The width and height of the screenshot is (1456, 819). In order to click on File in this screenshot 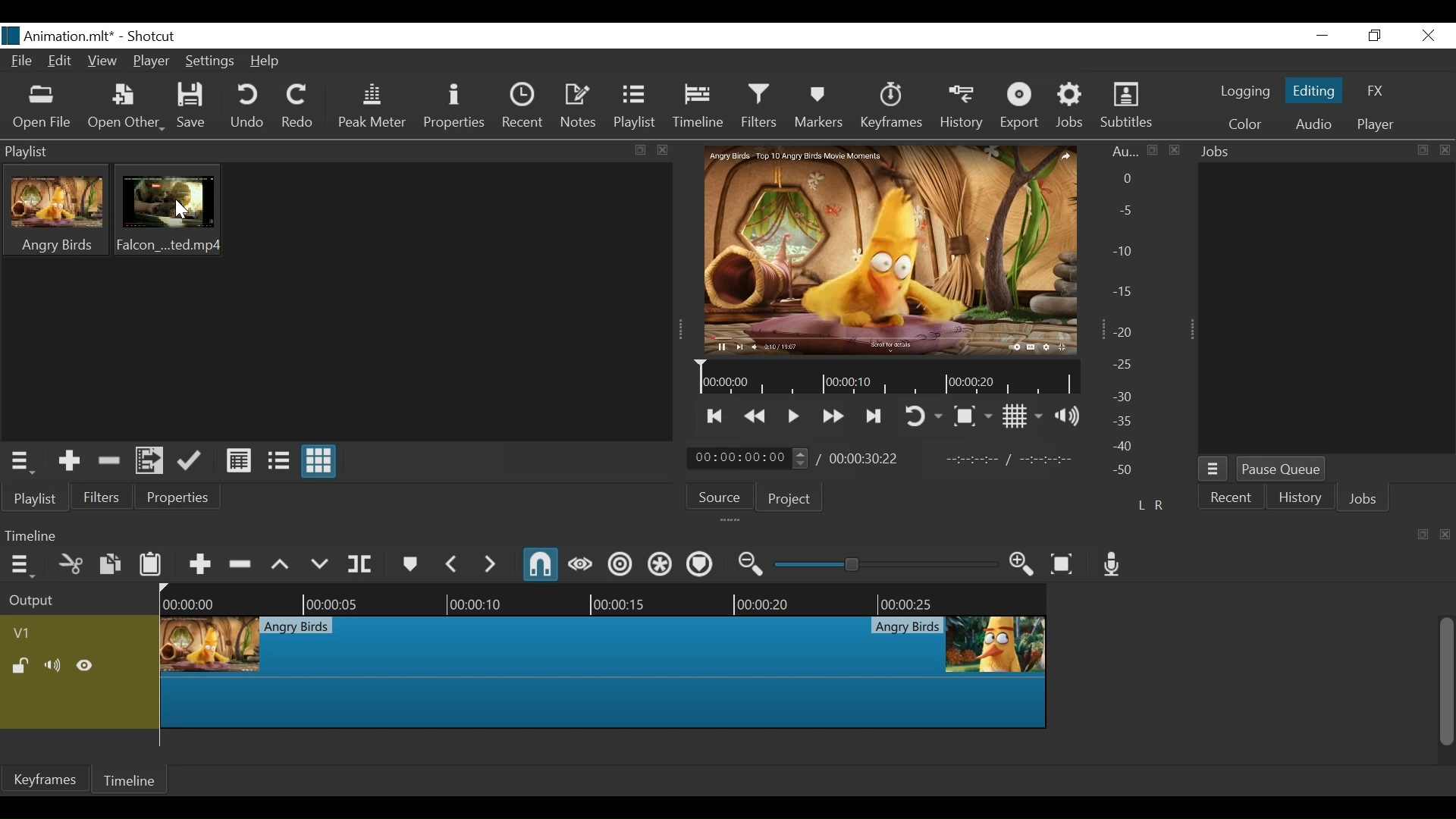, I will do `click(21, 60)`.